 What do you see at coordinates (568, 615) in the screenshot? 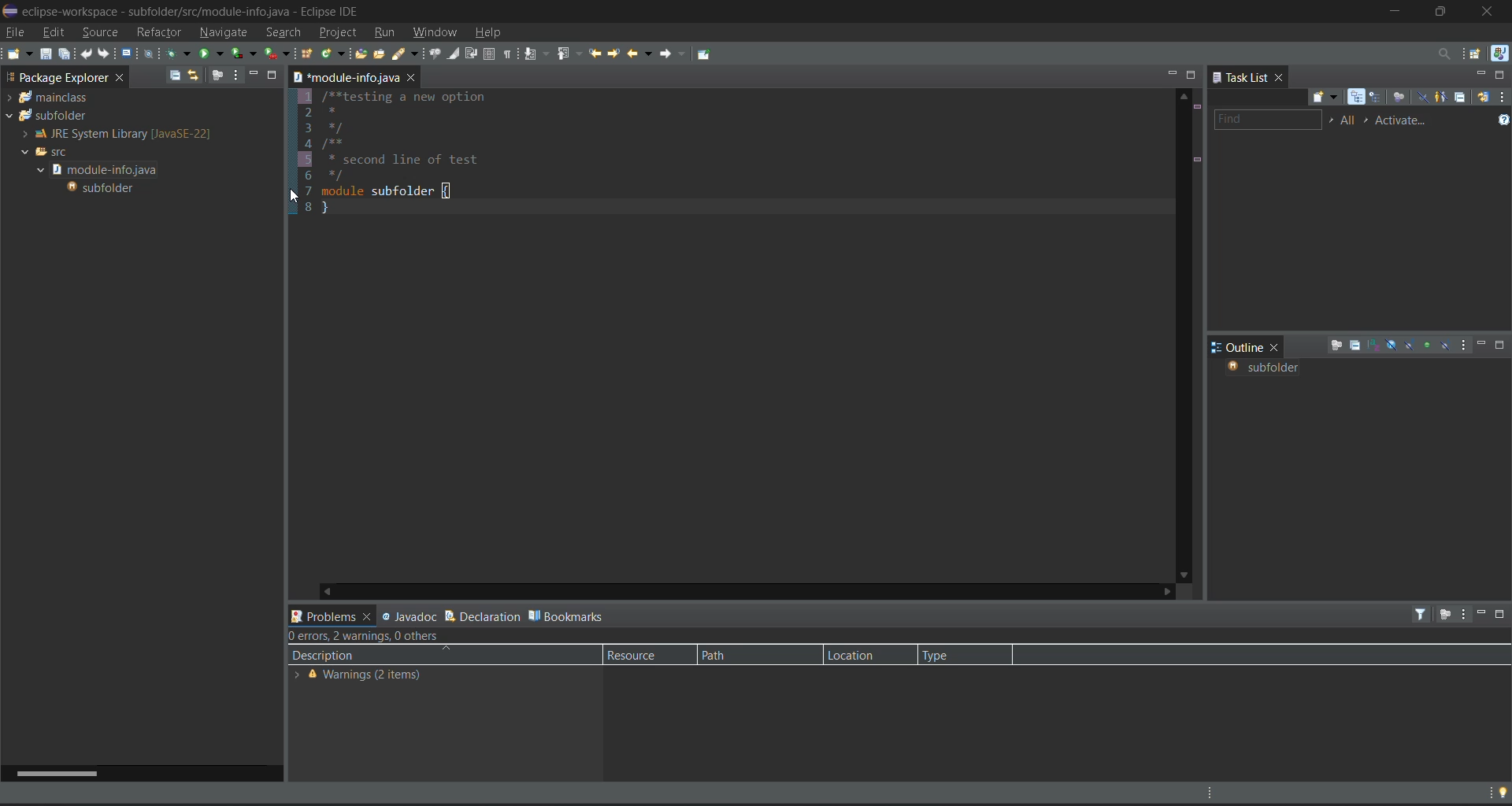
I see `bookmarks` at bounding box center [568, 615].